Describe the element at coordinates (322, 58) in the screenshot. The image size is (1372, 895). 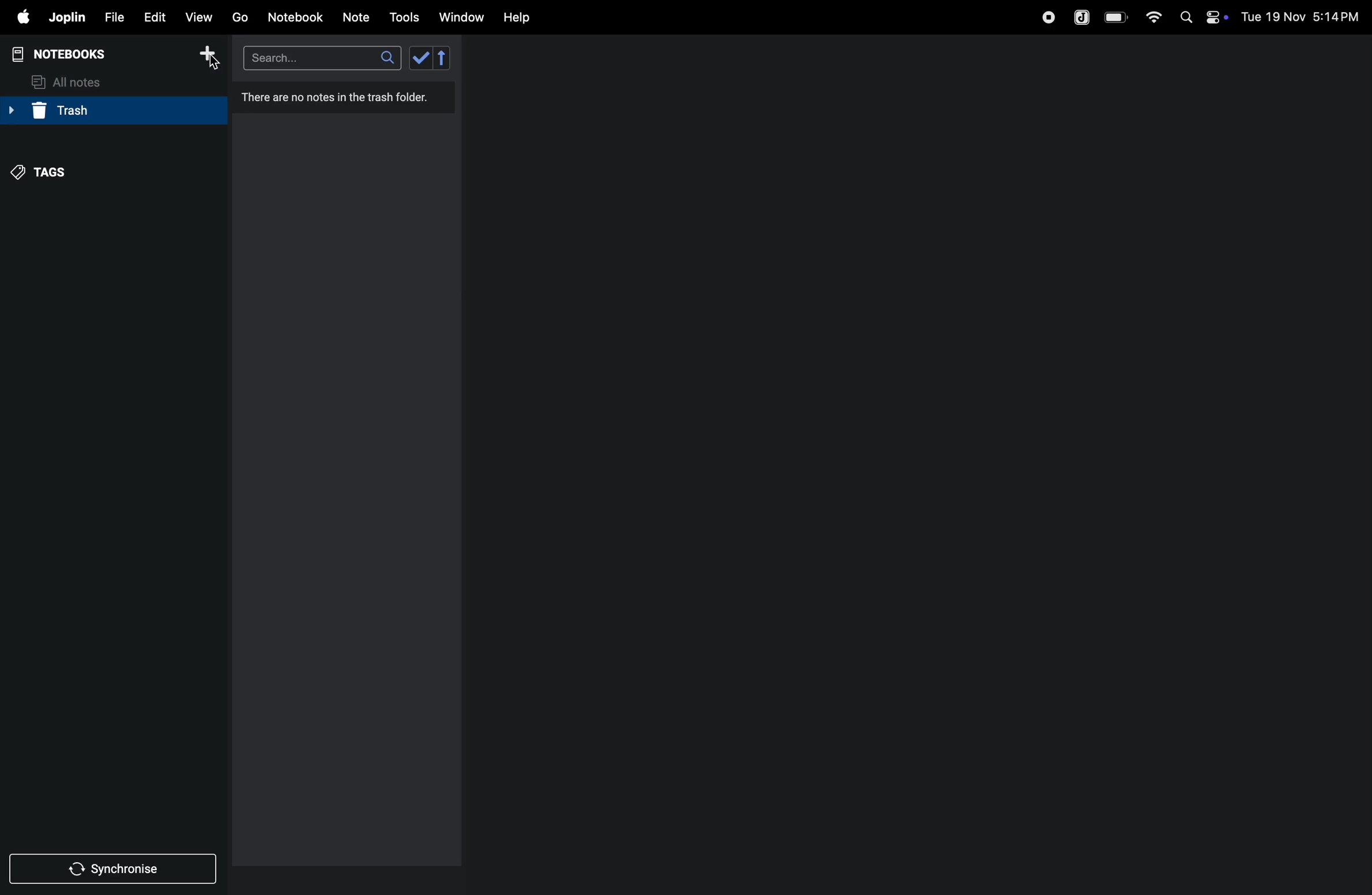
I see `search` at that location.